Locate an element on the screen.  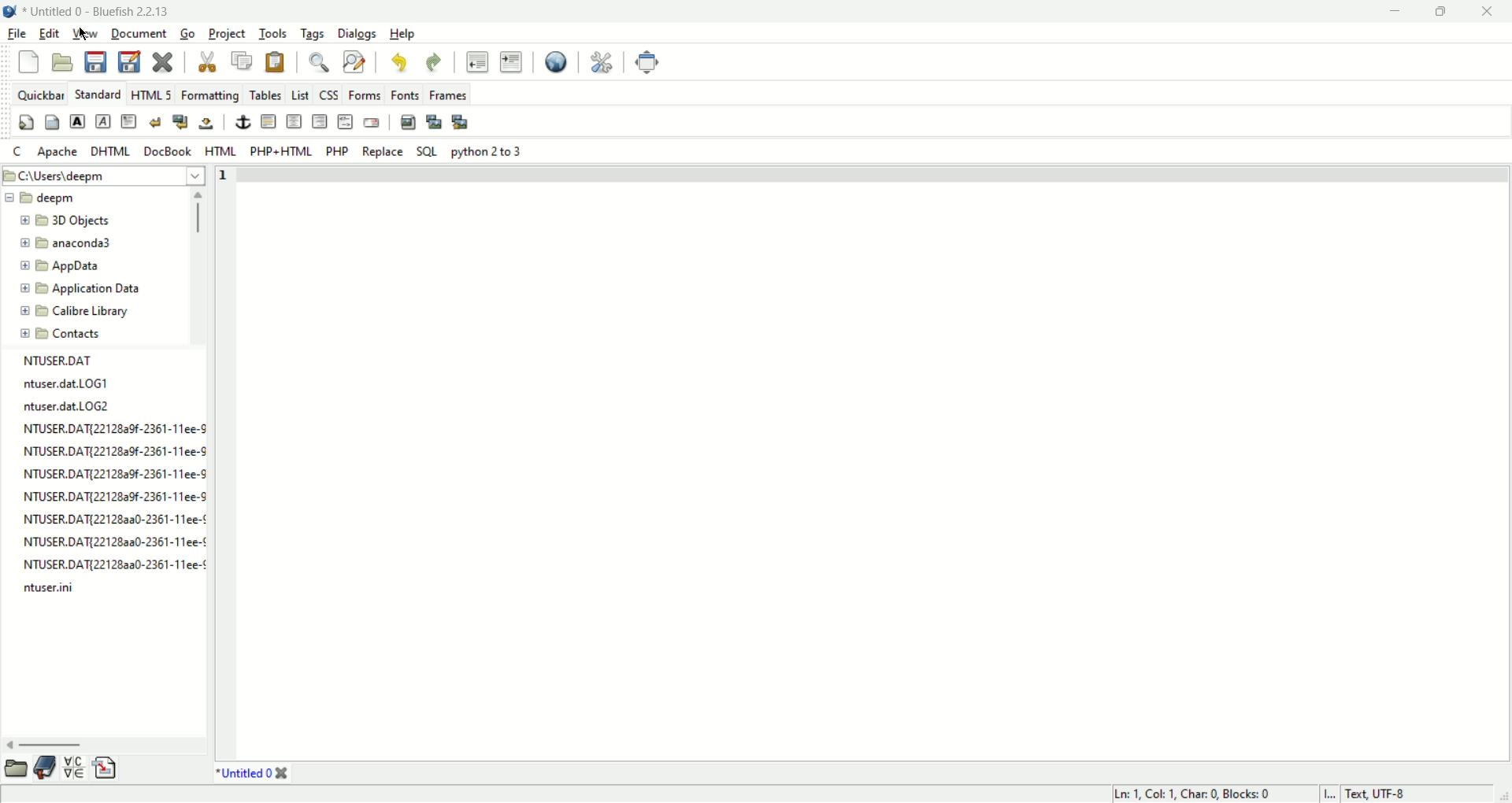
3D objects is located at coordinates (67, 220).